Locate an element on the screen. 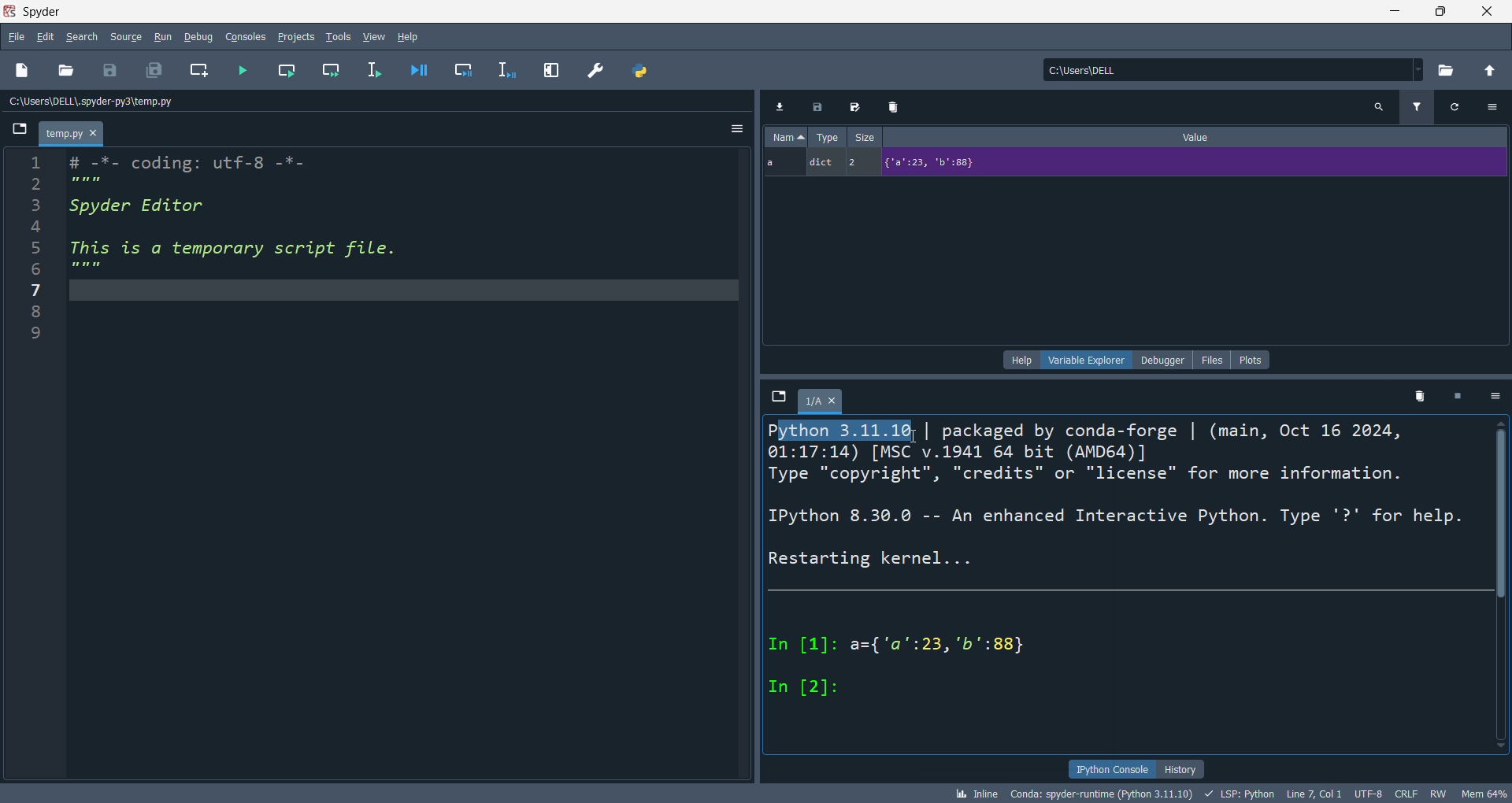  debugger is located at coordinates (1162, 360).